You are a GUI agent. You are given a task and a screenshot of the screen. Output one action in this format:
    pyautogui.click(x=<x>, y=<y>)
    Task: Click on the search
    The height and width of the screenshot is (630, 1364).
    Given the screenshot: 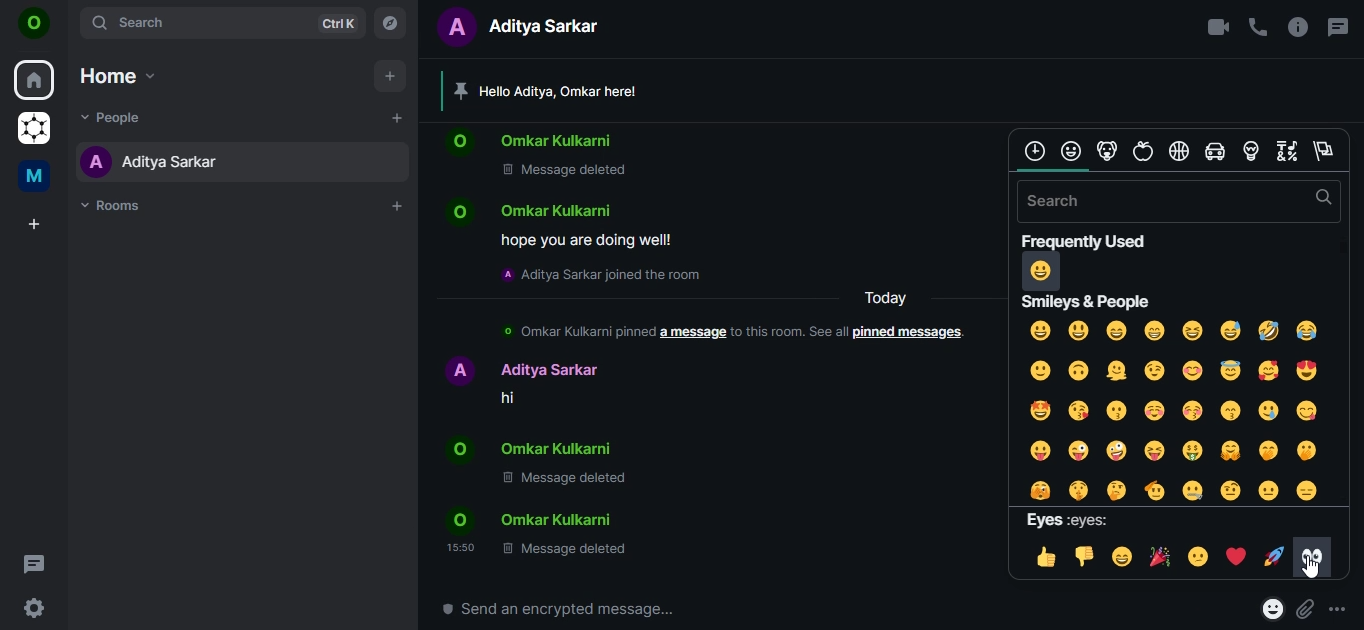 What is the action you would take?
    pyautogui.click(x=1182, y=202)
    